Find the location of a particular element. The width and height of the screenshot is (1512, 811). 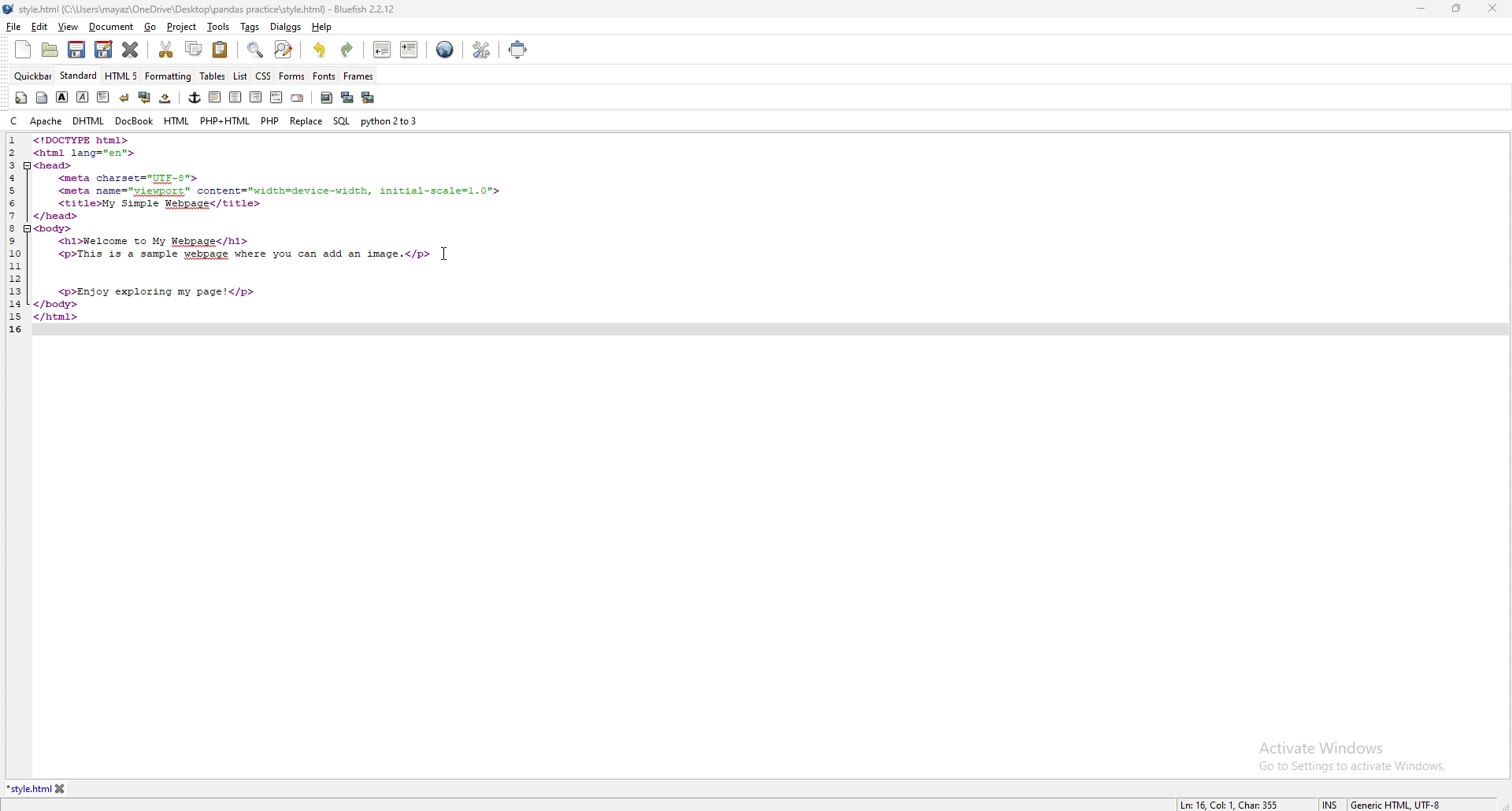

html is located at coordinates (177, 121).